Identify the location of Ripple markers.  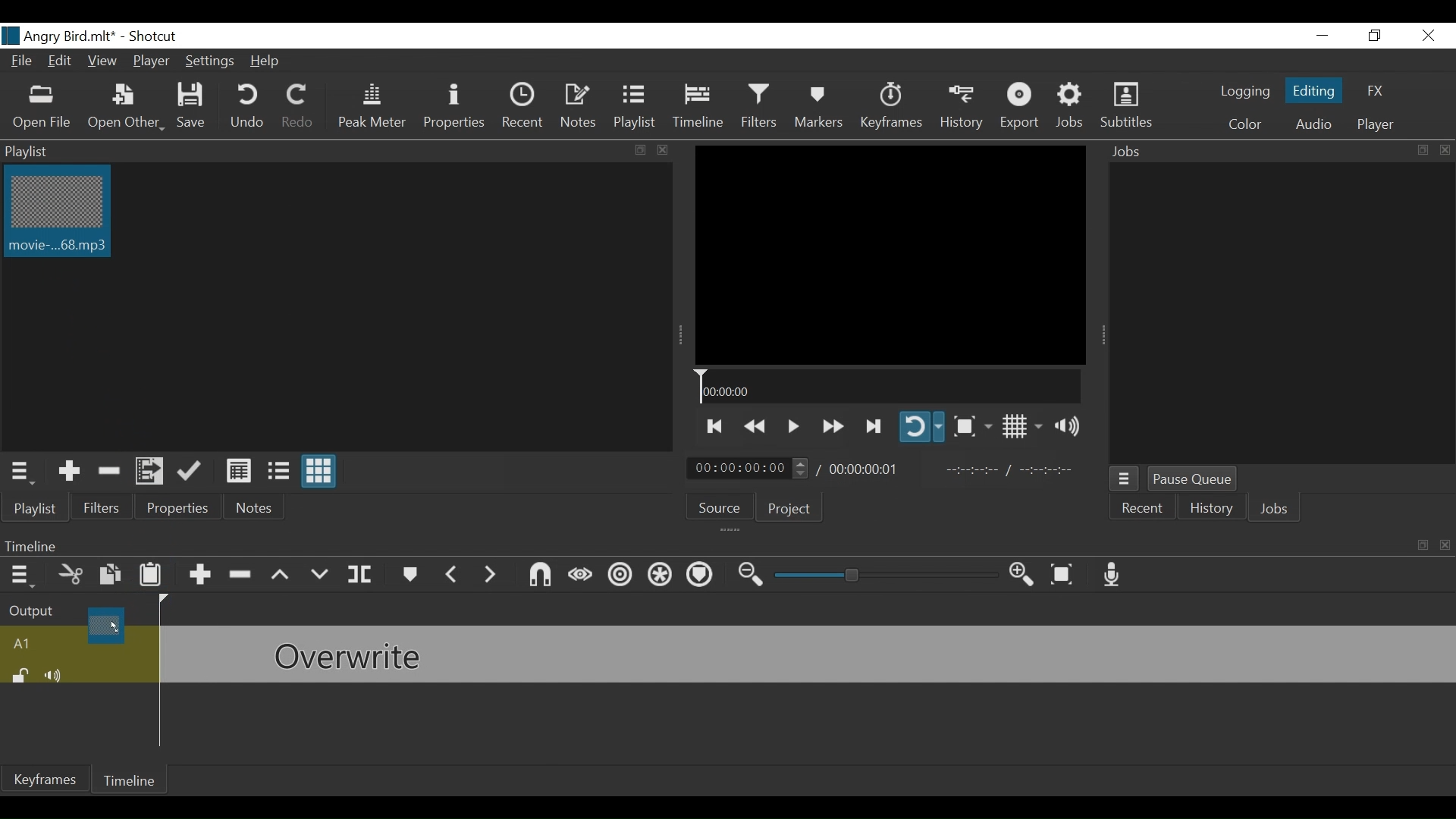
(701, 574).